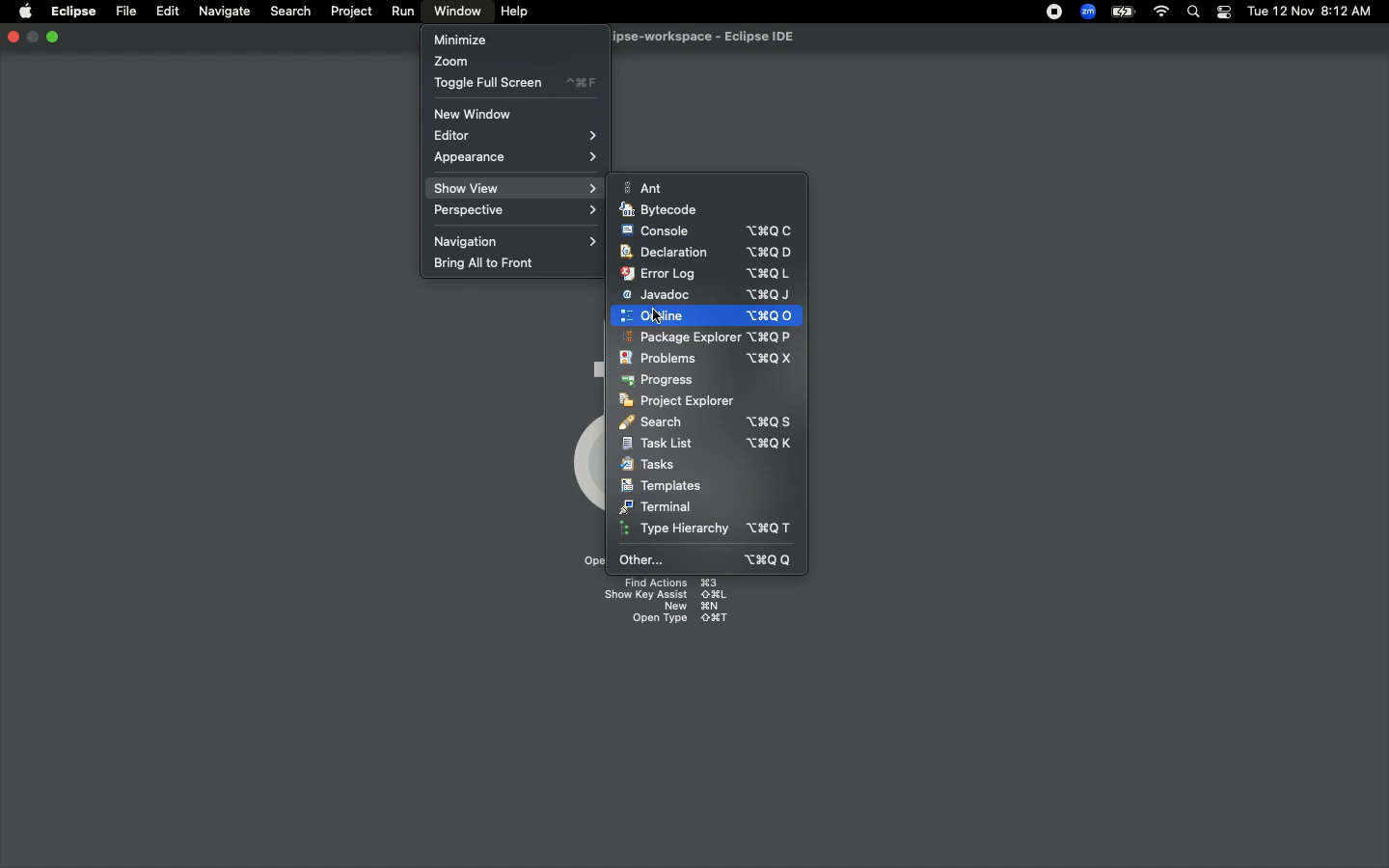 This screenshot has width=1389, height=868. Describe the element at coordinates (399, 11) in the screenshot. I see `Run` at that location.